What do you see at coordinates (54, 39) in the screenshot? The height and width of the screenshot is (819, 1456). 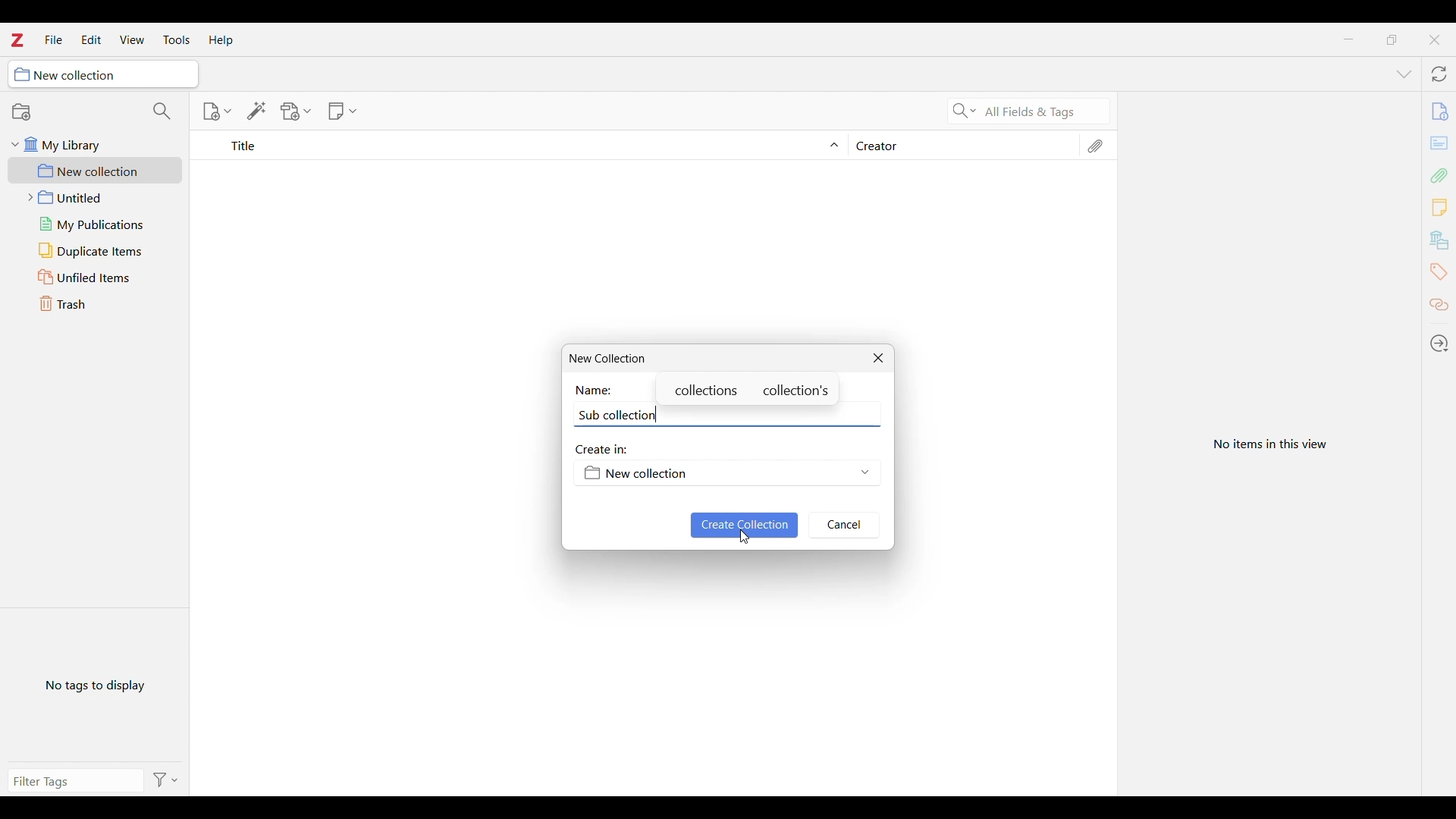 I see `File menu` at bounding box center [54, 39].